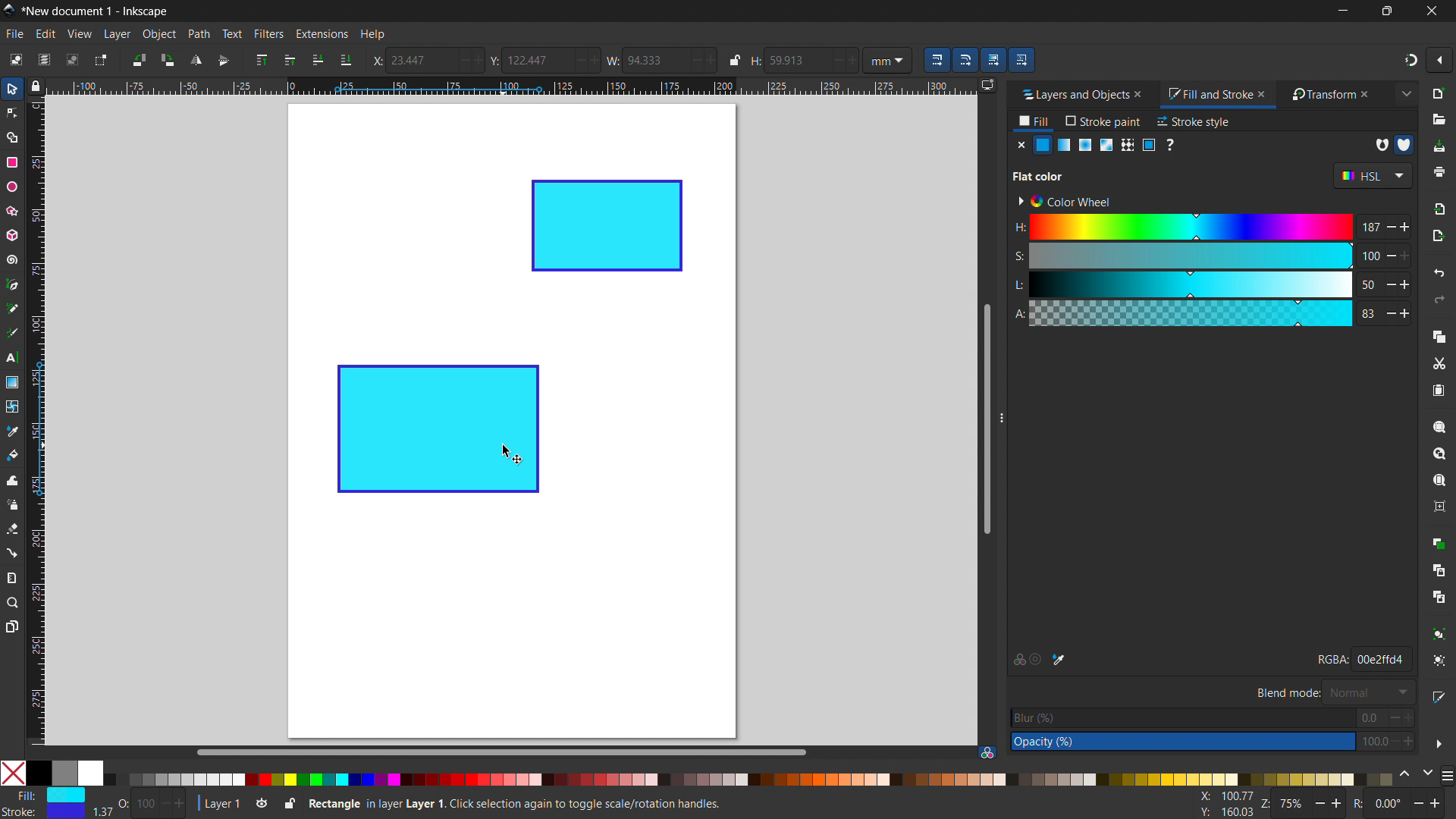 This screenshot has height=819, width=1456. I want to click on rotate 90 ccw, so click(137, 59).